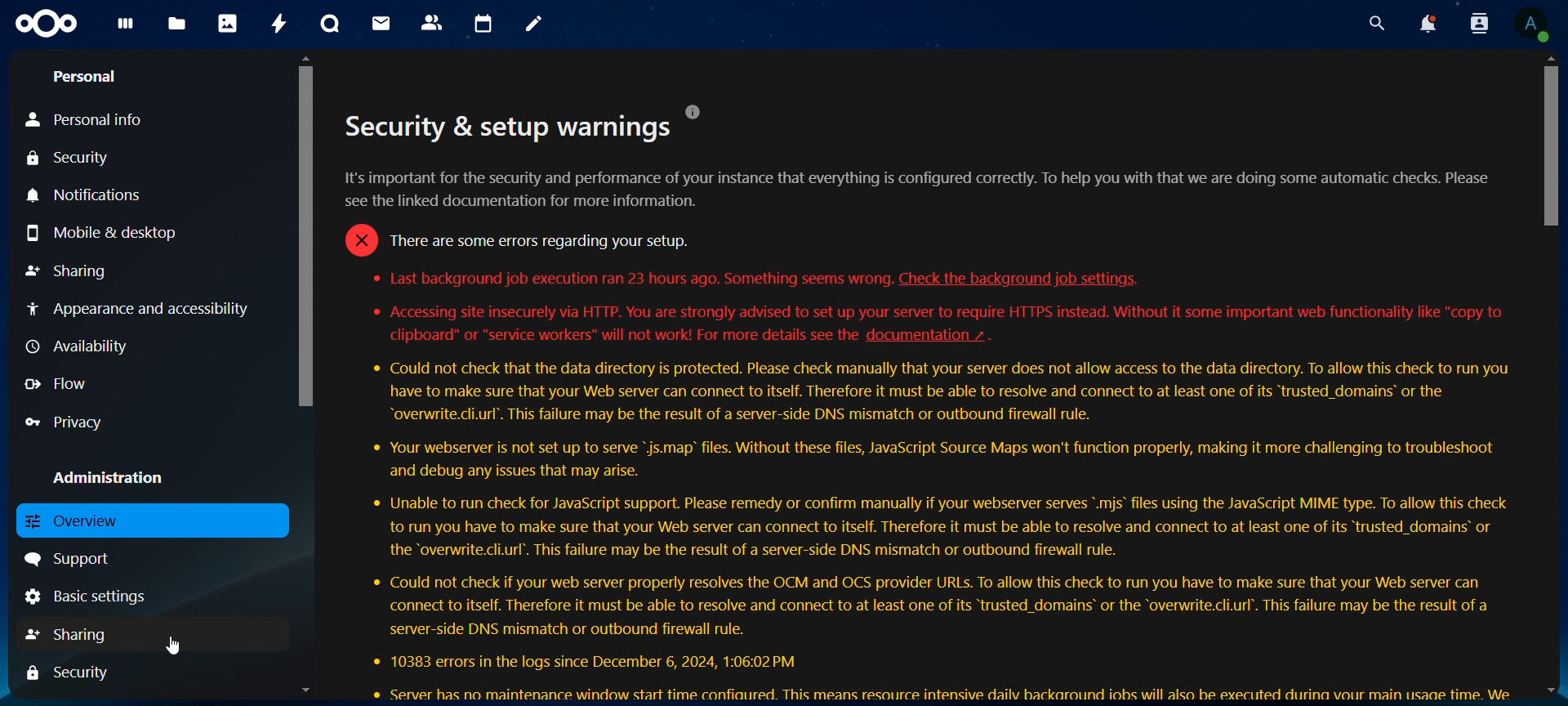 This screenshot has height=706, width=1568. Describe the element at coordinates (90, 120) in the screenshot. I see `personal info` at that location.